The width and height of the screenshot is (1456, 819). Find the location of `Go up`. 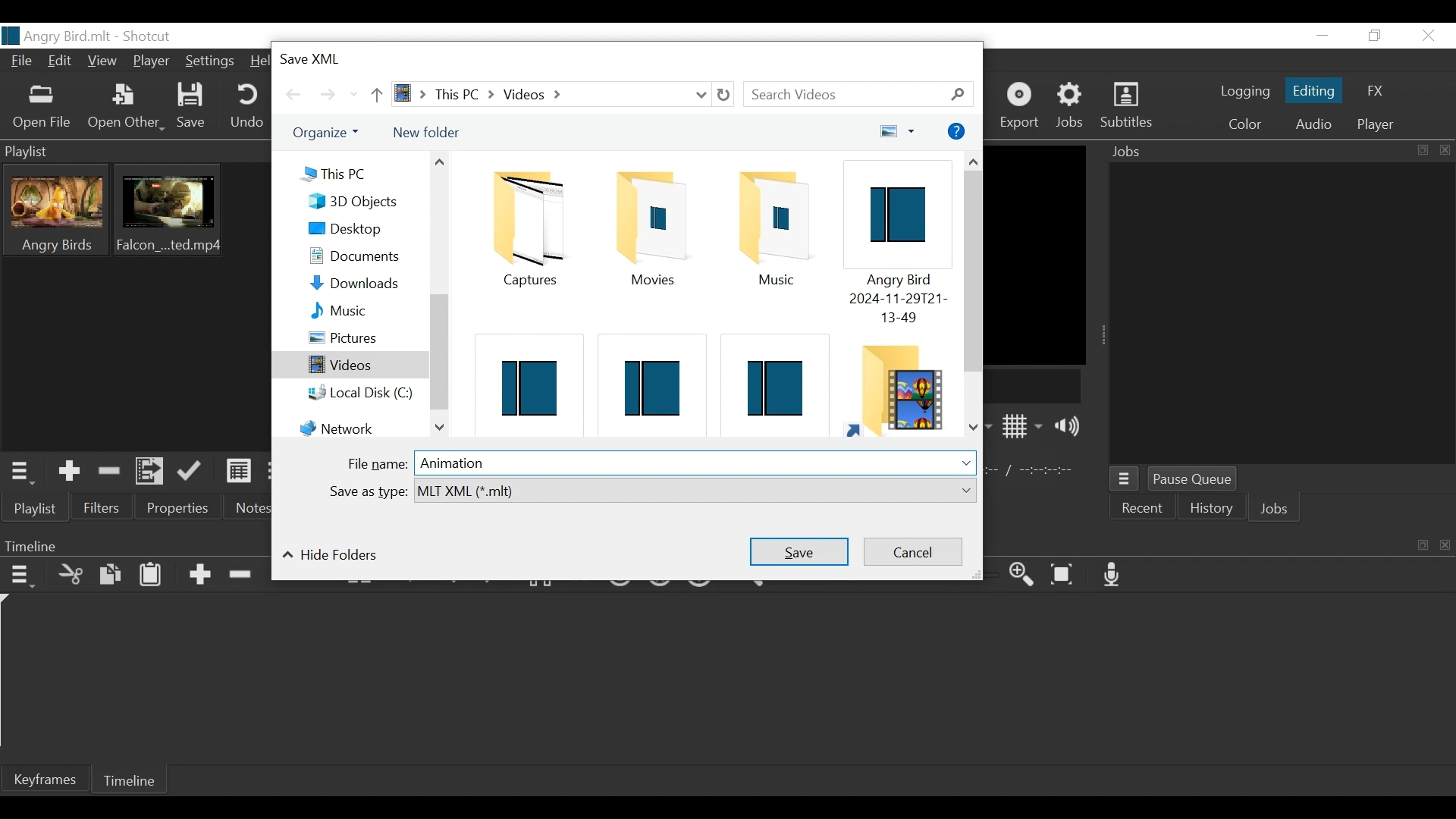

Go up is located at coordinates (375, 93).